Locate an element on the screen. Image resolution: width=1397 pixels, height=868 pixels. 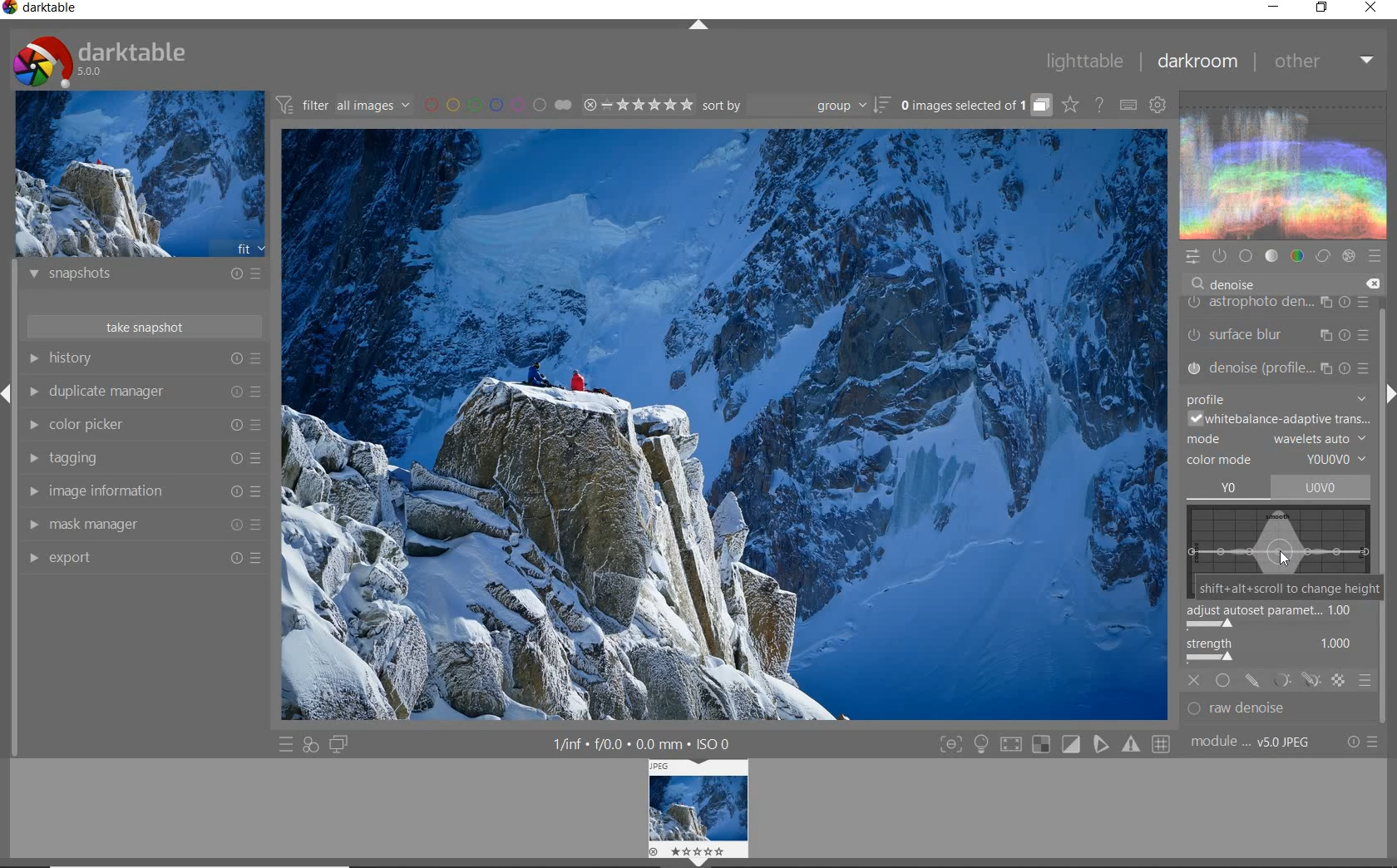
DENOISE is located at coordinates (1229, 284).